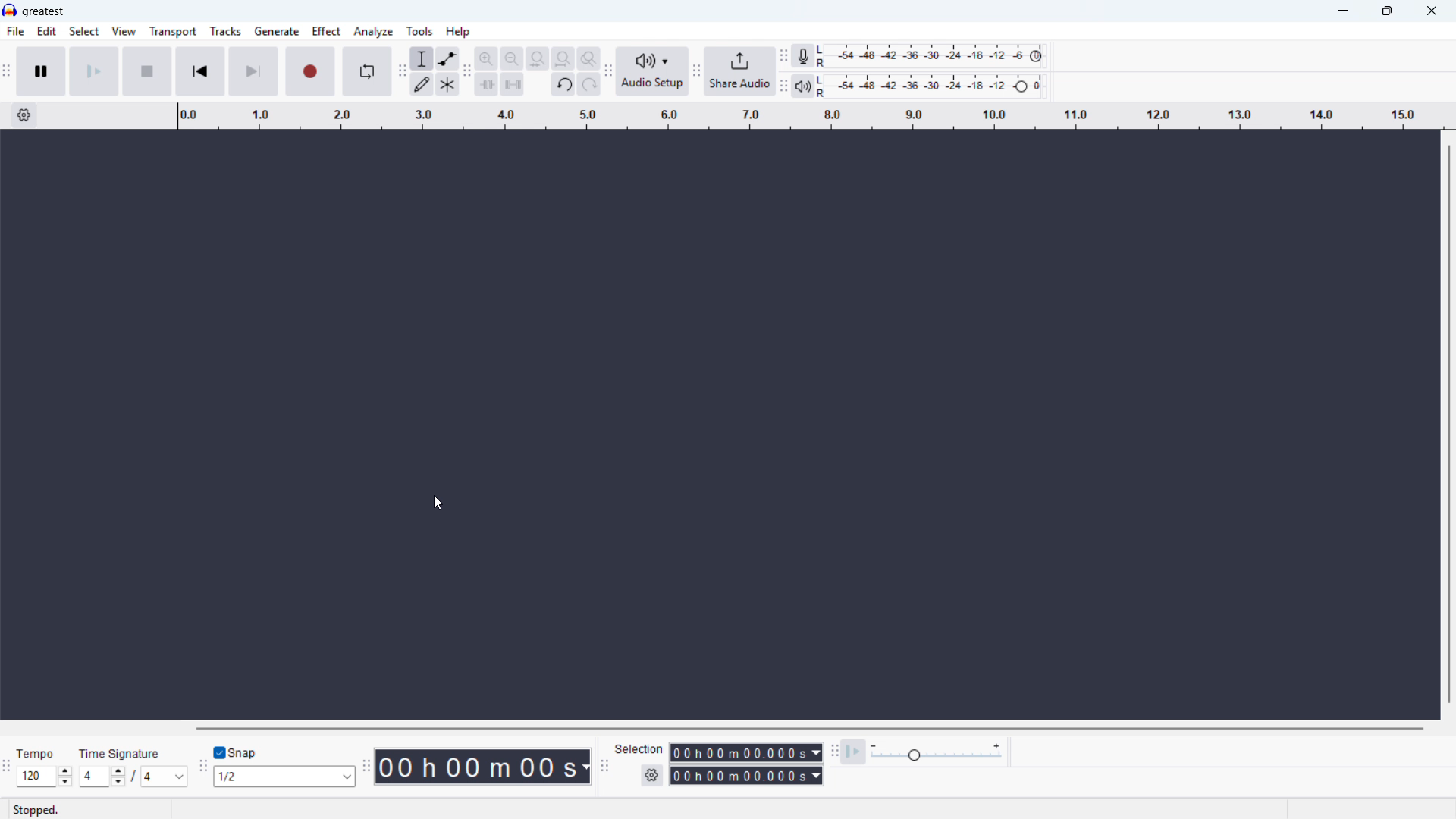  What do you see at coordinates (488, 58) in the screenshot?
I see `Zoom in ` at bounding box center [488, 58].